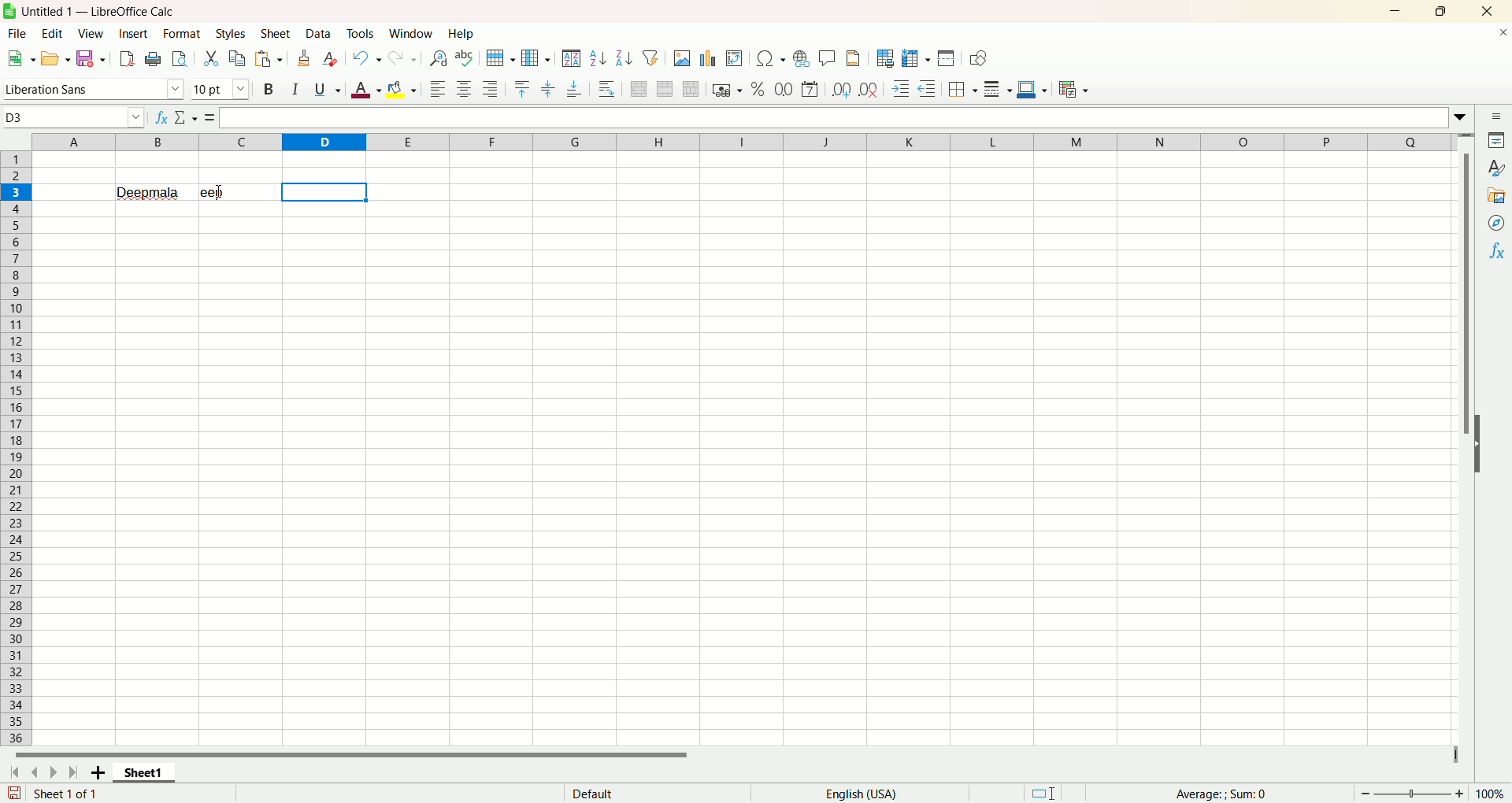  I want to click on Font color, so click(366, 89).